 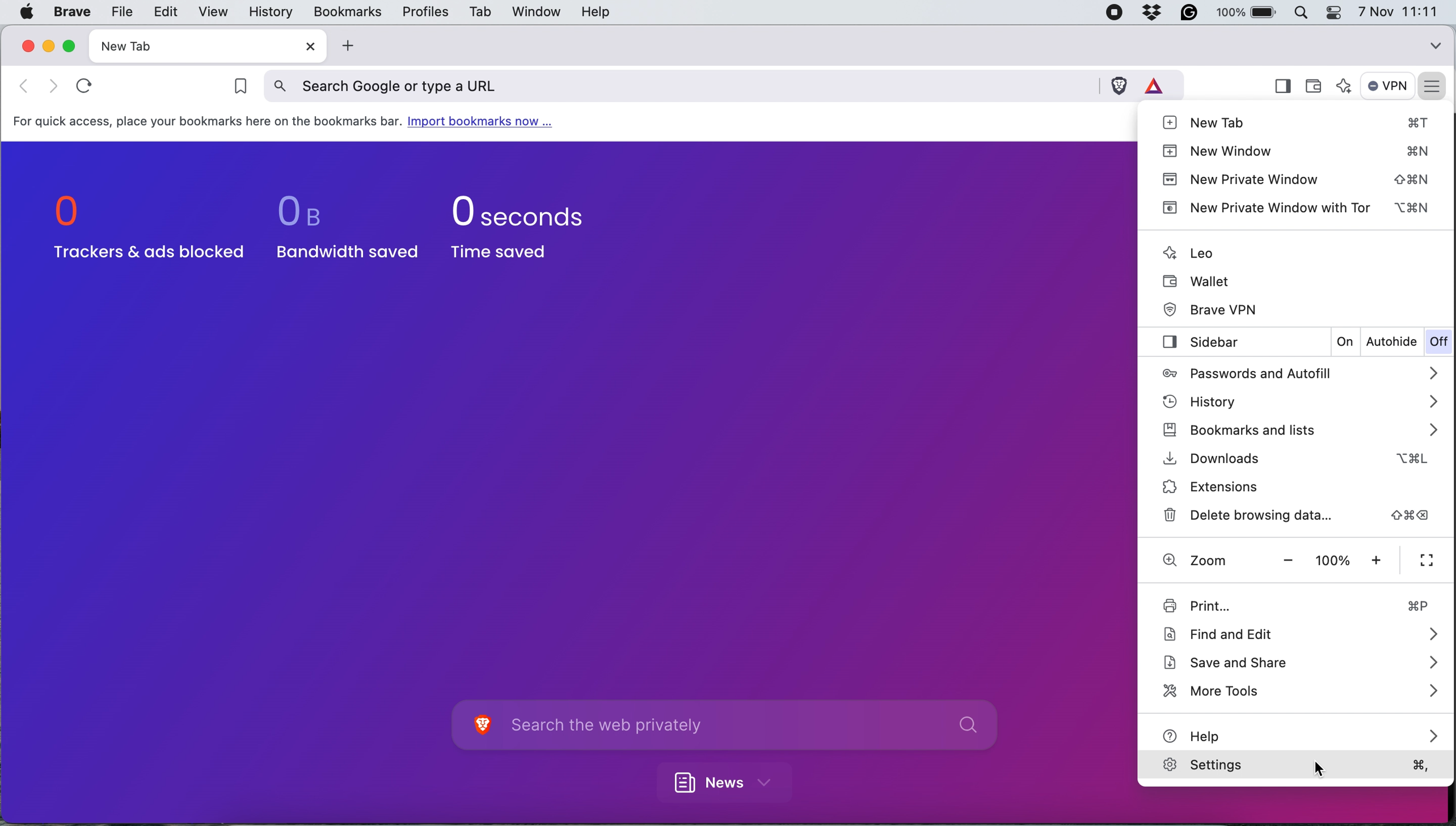 I want to click on control center, so click(x=1337, y=12).